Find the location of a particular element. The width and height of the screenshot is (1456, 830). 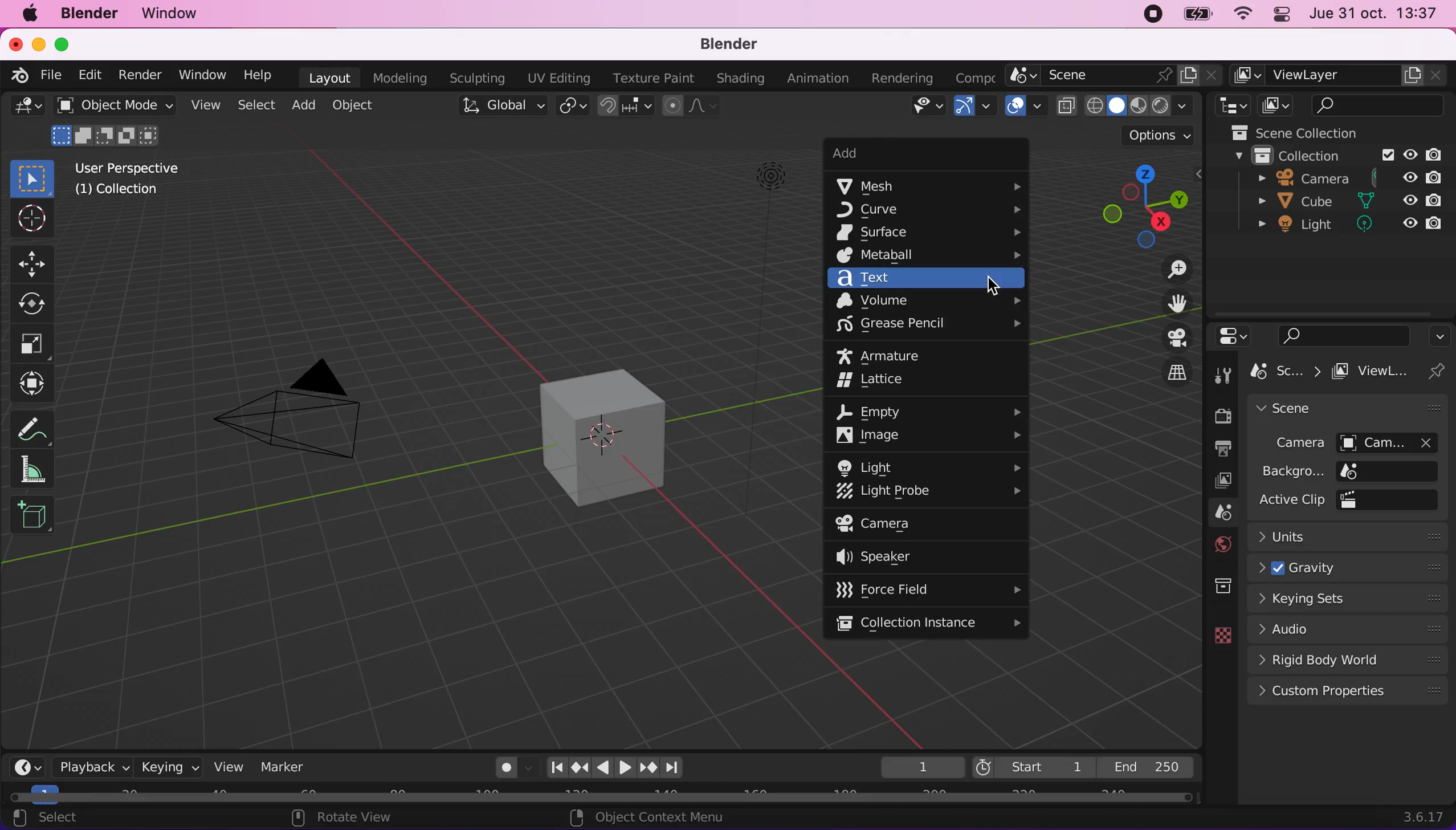

camera is located at coordinates (1343, 176).